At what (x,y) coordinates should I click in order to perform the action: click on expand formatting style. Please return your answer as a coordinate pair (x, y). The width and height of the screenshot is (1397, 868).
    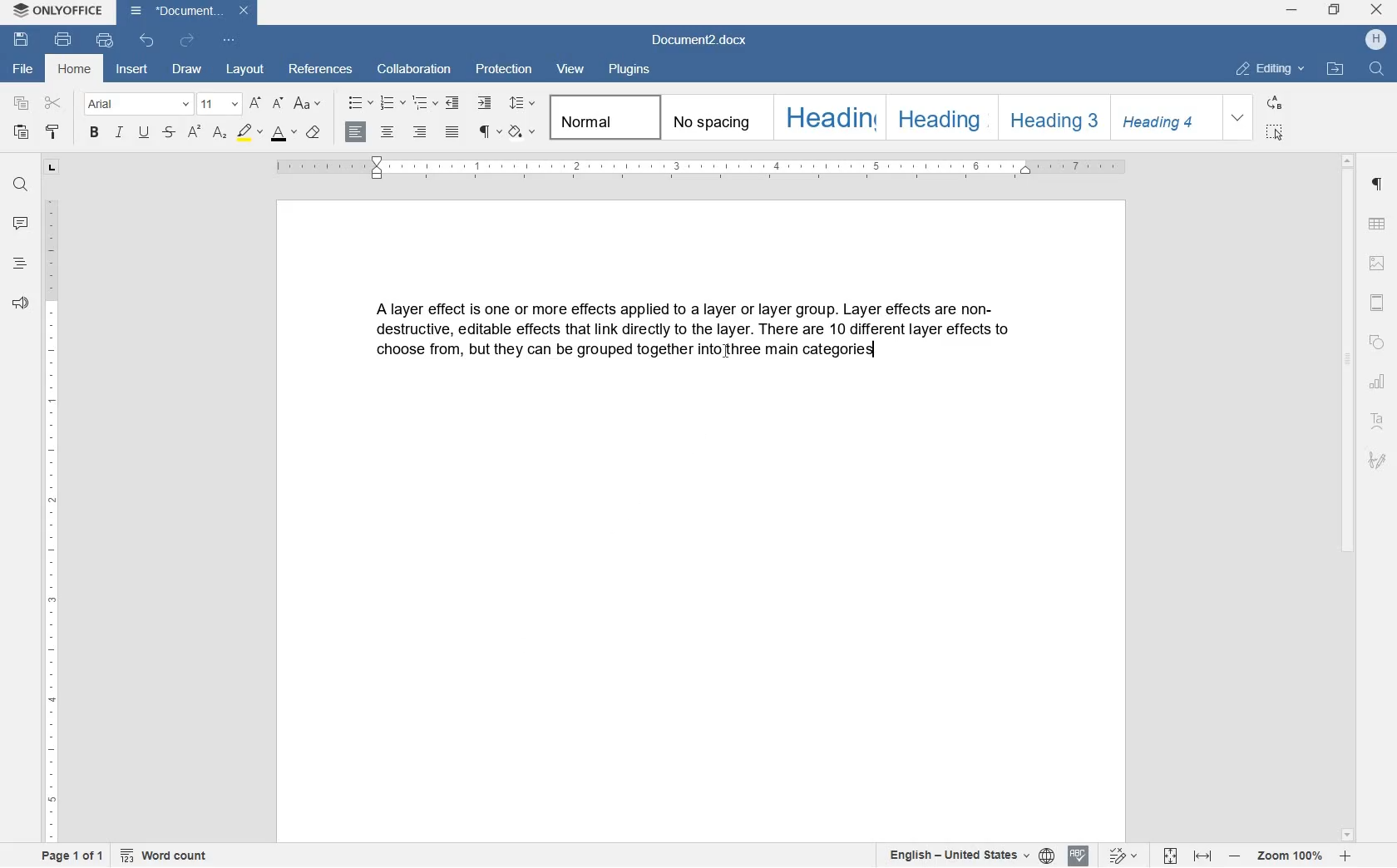
    Looking at the image, I should click on (1238, 118).